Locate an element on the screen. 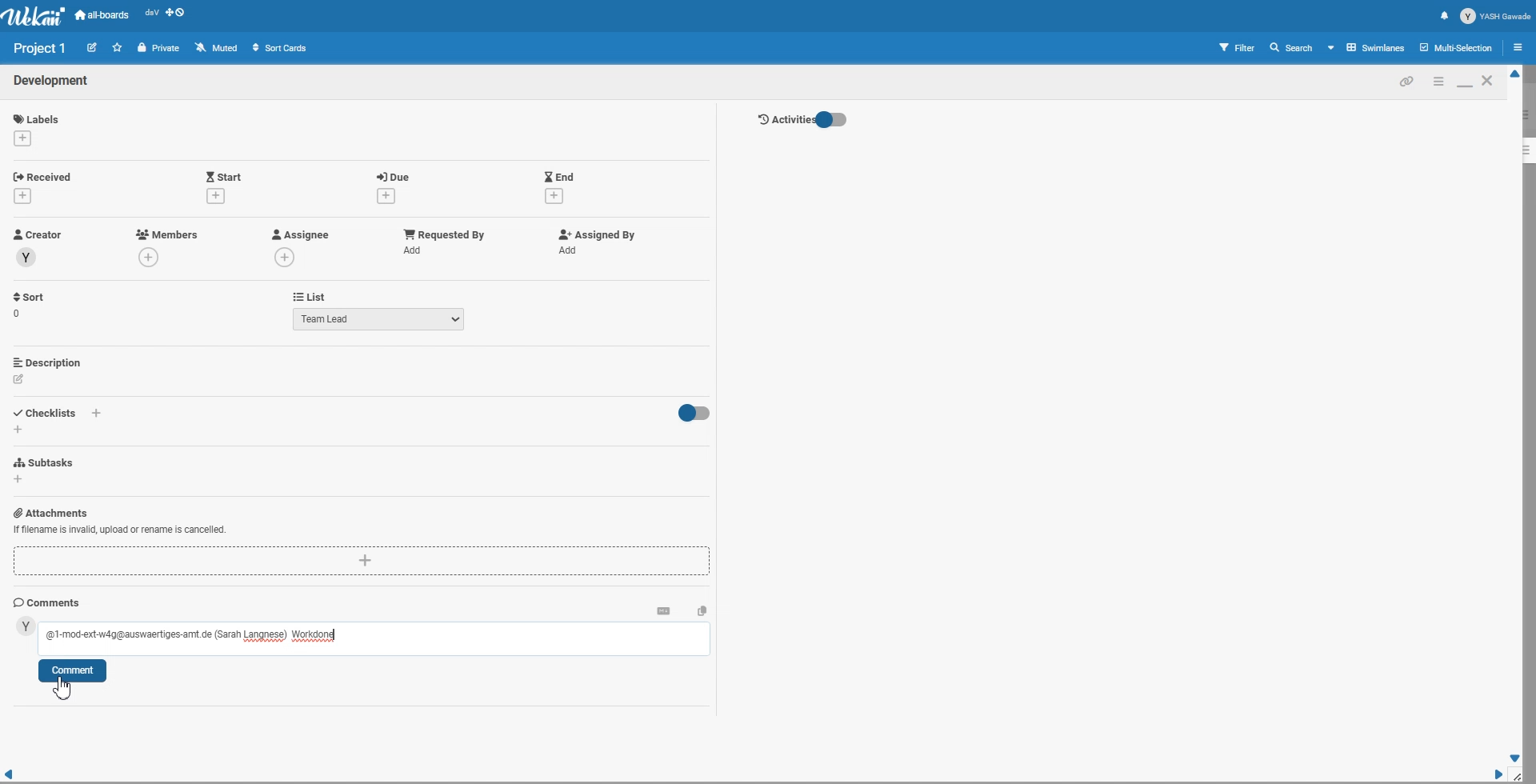 Image resolution: width=1536 pixels, height=784 pixels. Filter is located at coordinates (1238, 47).